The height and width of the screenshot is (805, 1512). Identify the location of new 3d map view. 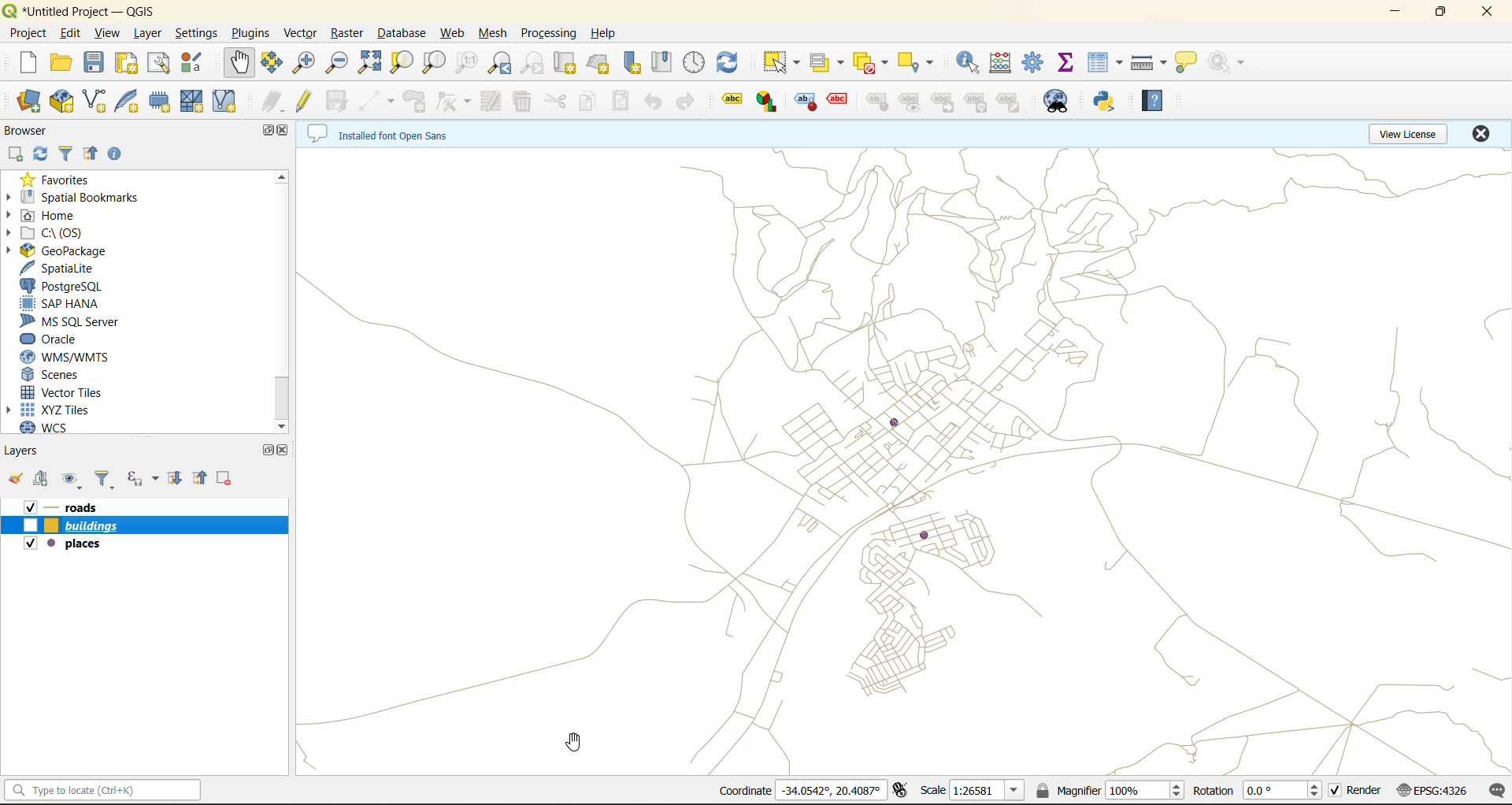
(602, 65).